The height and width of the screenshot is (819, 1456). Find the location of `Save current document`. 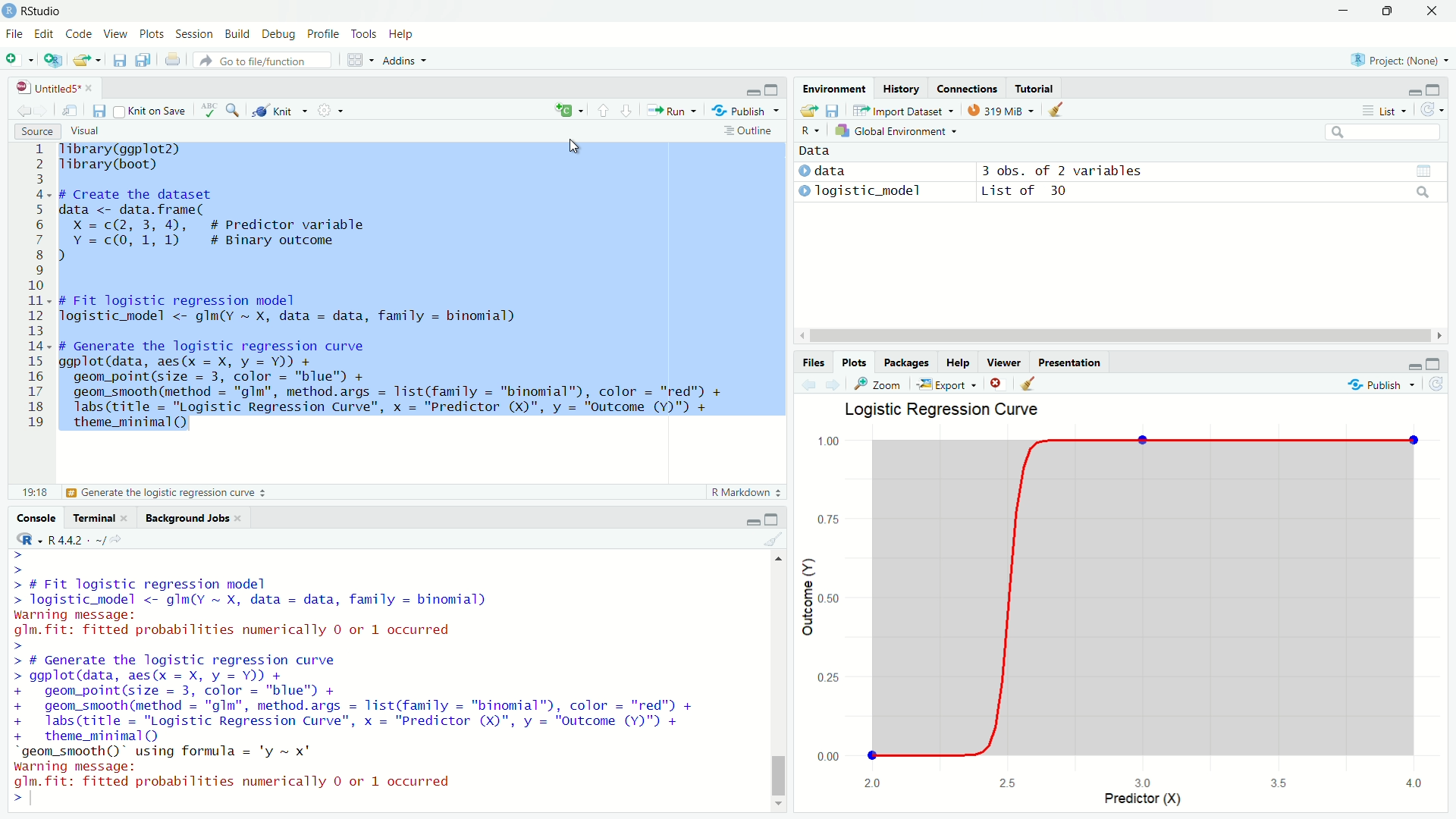

Save current document is located at coordinates (119, 59).